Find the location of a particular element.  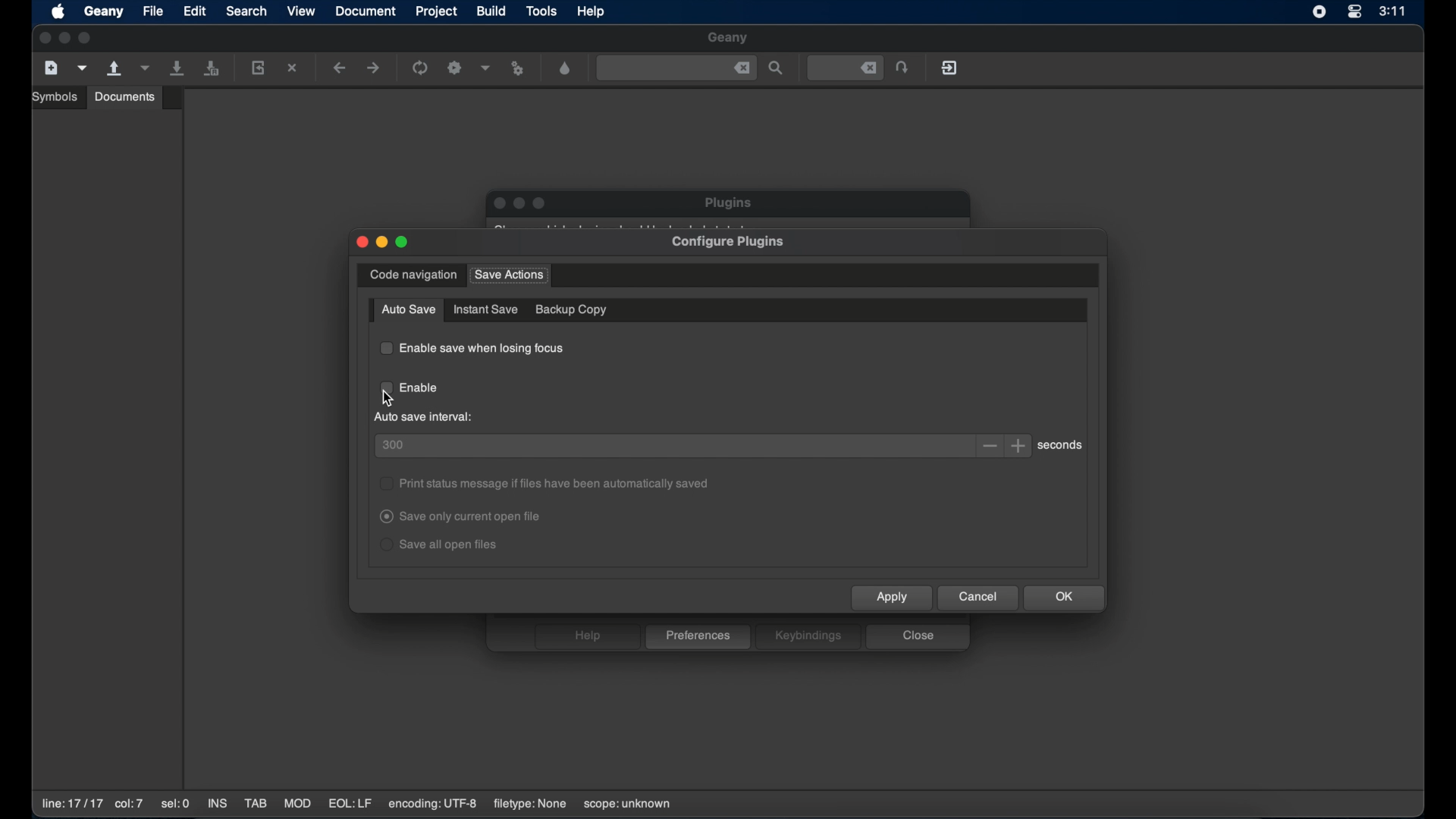

INS is located at coordinates (218, 805).